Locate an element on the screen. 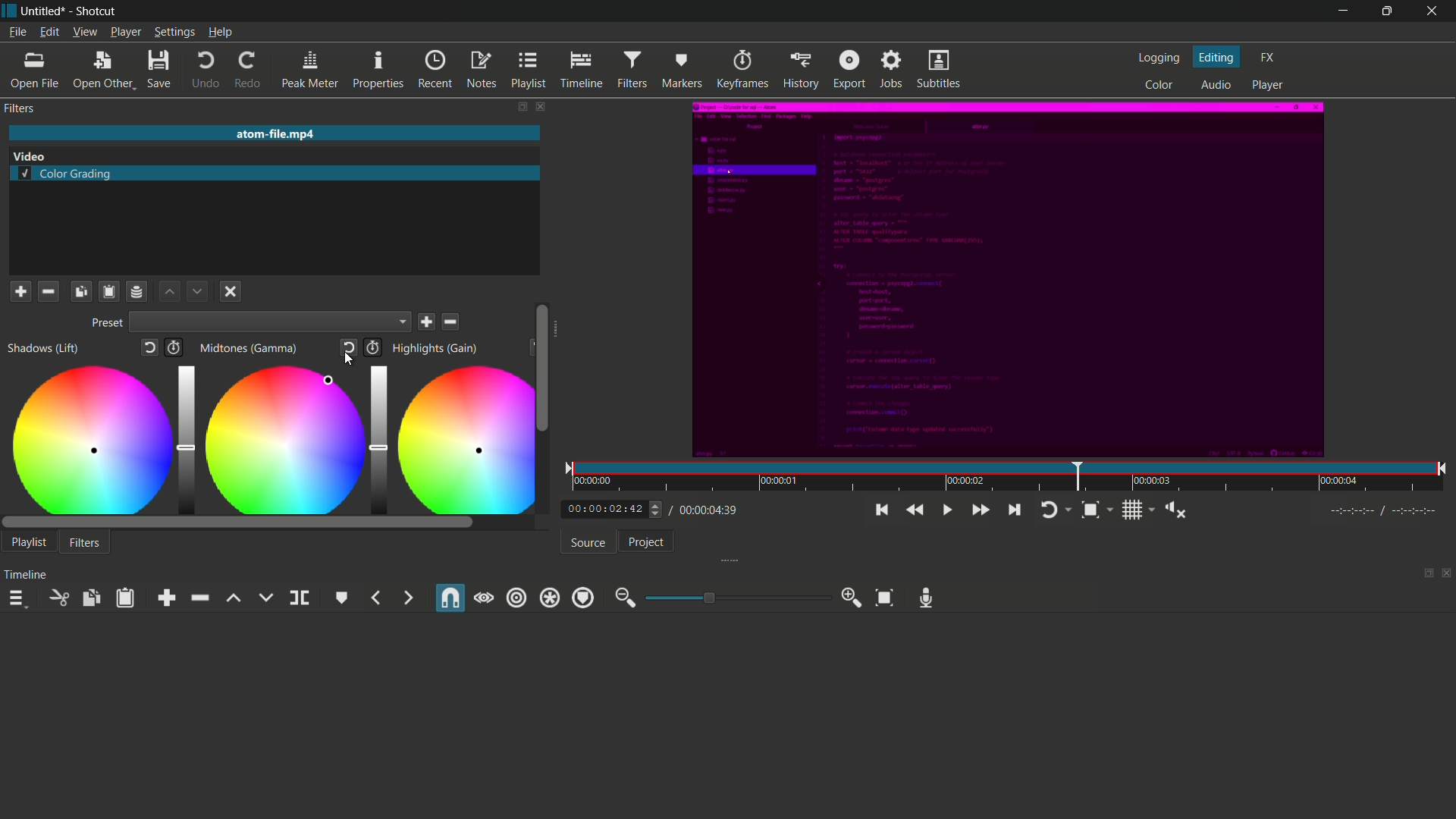 This screenshot has width=1456, height=819. export is located at coordinates (850, 68).